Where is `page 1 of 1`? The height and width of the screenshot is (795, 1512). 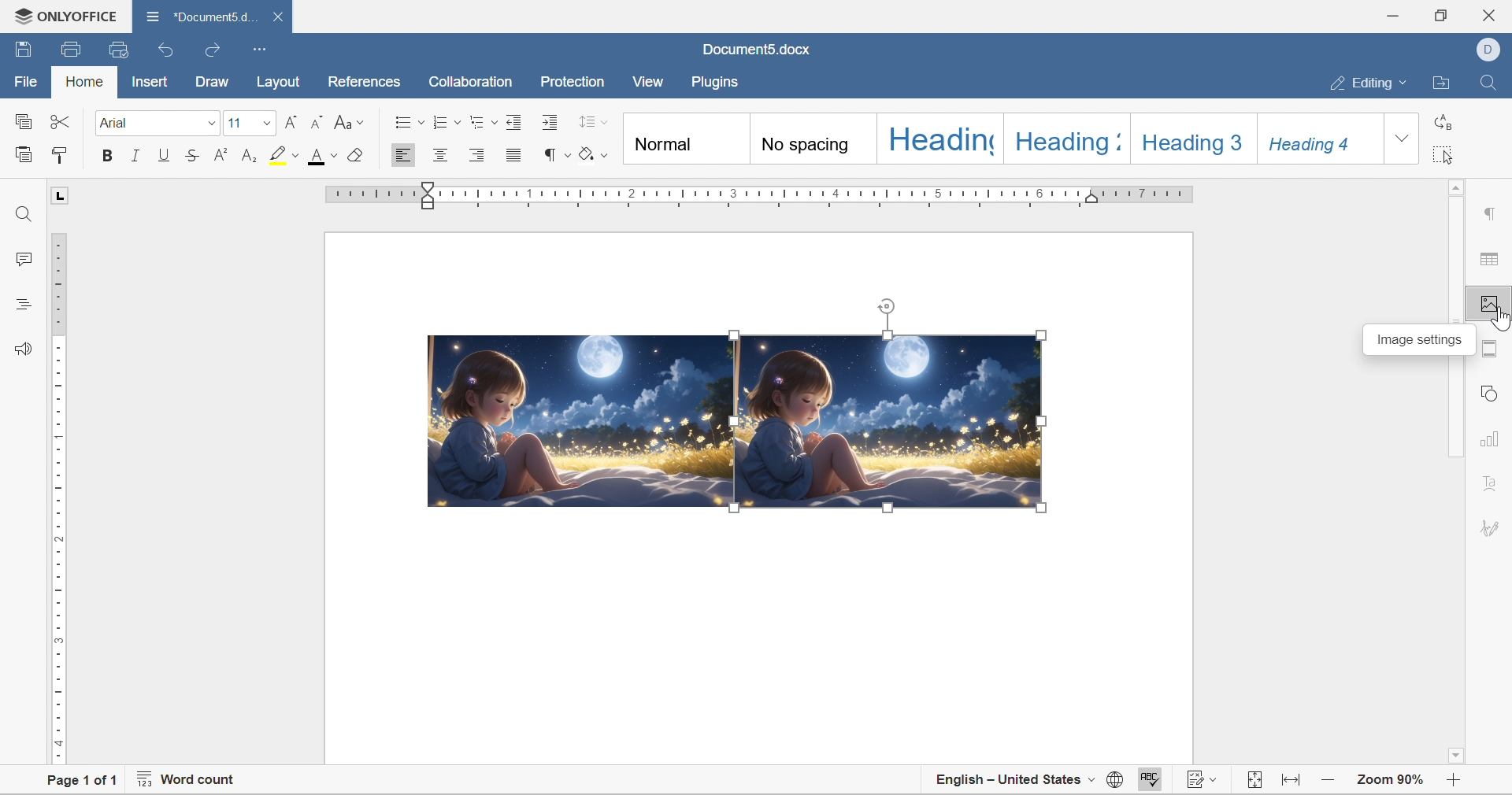
page 1 of 1 is located at coordinates (85, 784).